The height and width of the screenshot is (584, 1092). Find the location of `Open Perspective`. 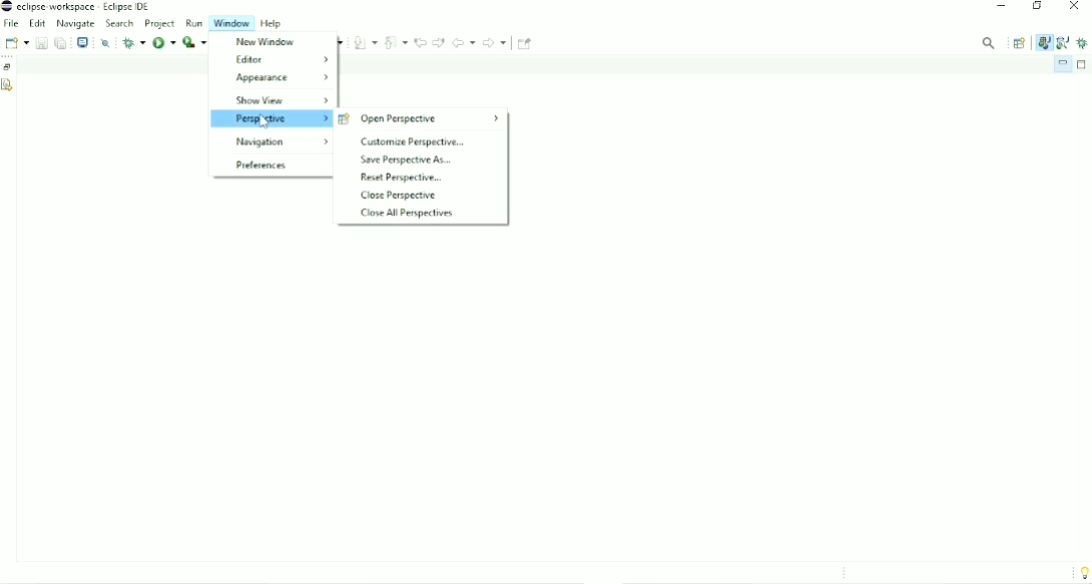

Open Perspective is located at coordinates (1020, 43).